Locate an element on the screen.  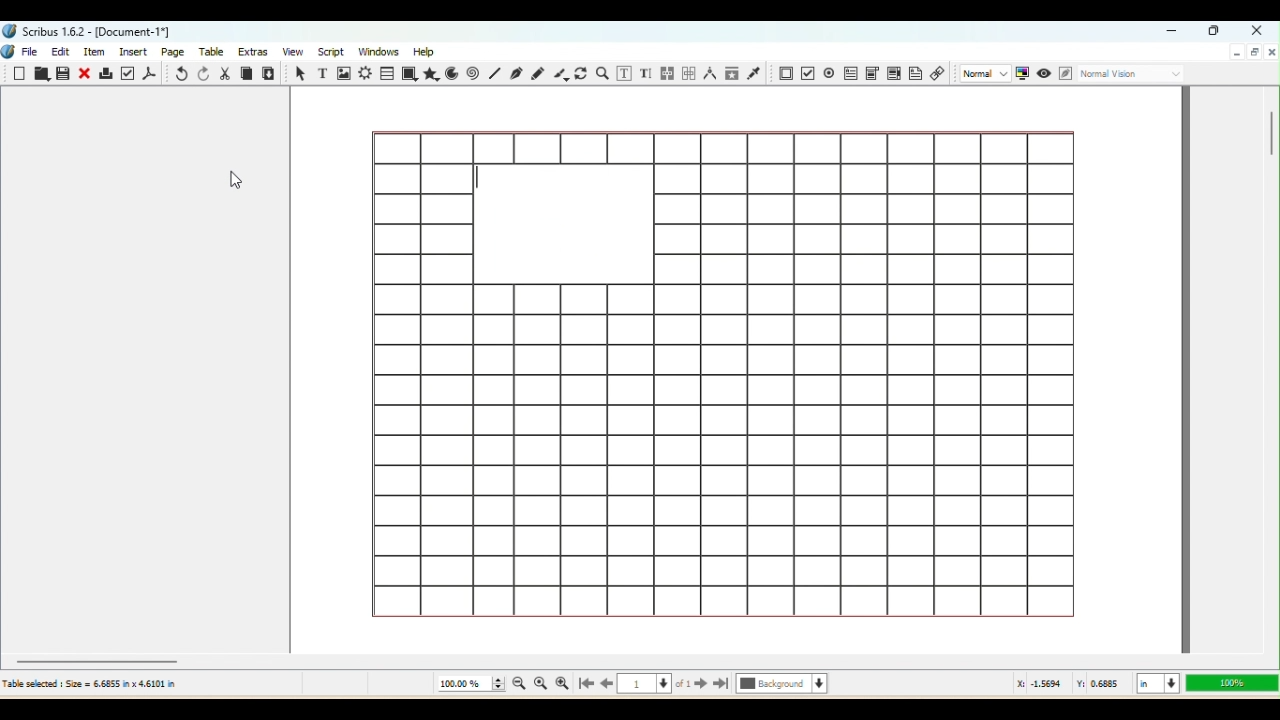
Bezier curve is located at coordinates (517, 75).